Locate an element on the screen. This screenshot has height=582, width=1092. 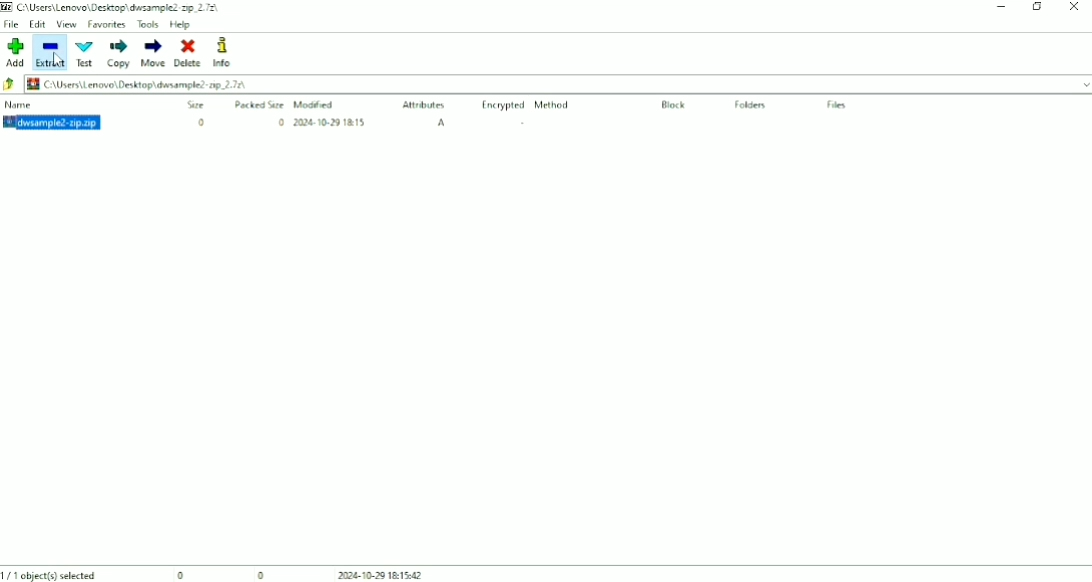
Modified is located at coordinates (317, 104).